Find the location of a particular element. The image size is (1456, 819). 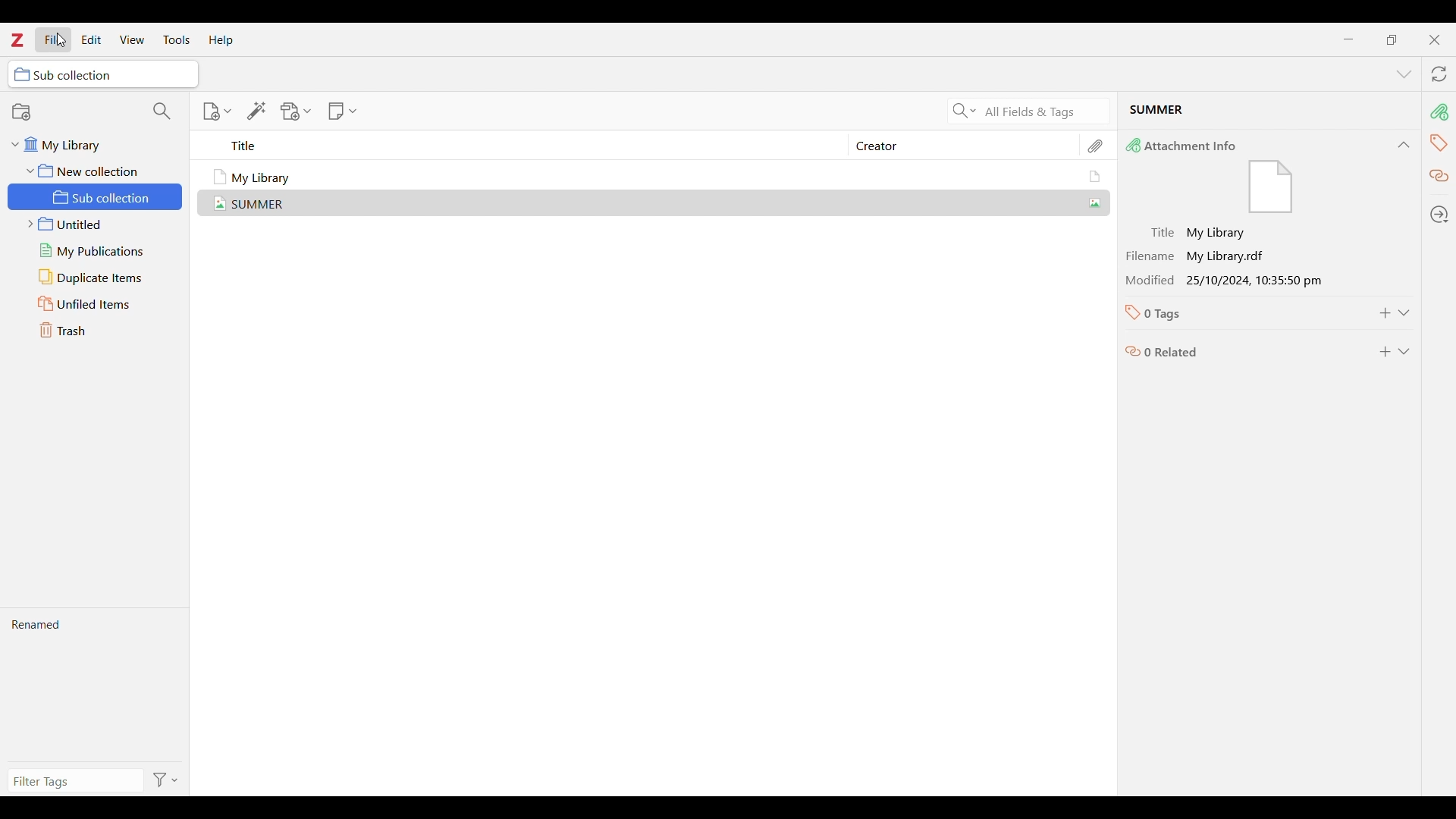

Type filter tag is located at coordinates (73, 781).